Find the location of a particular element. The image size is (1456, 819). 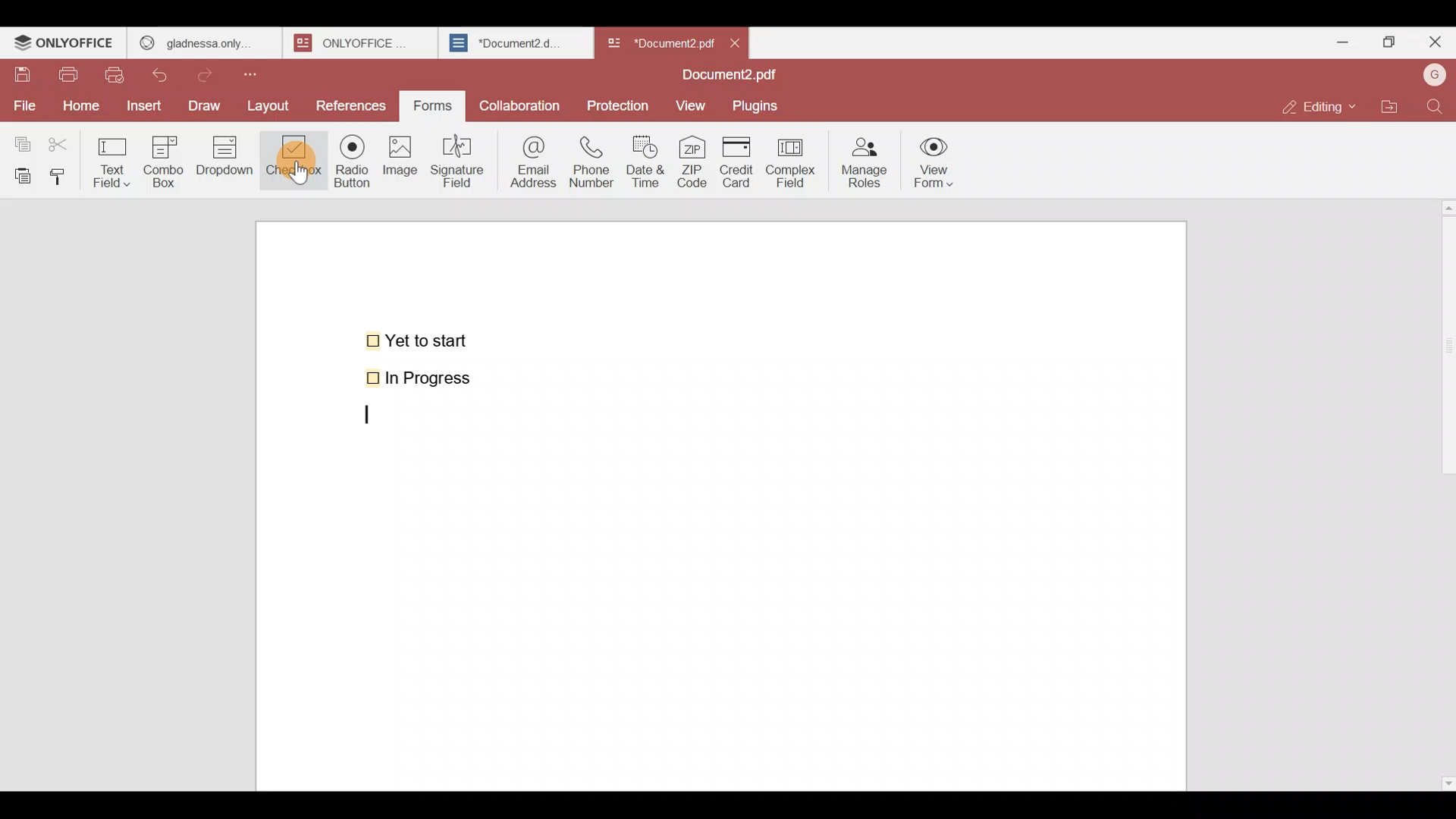

Paste is located at coordinates (20, 174).